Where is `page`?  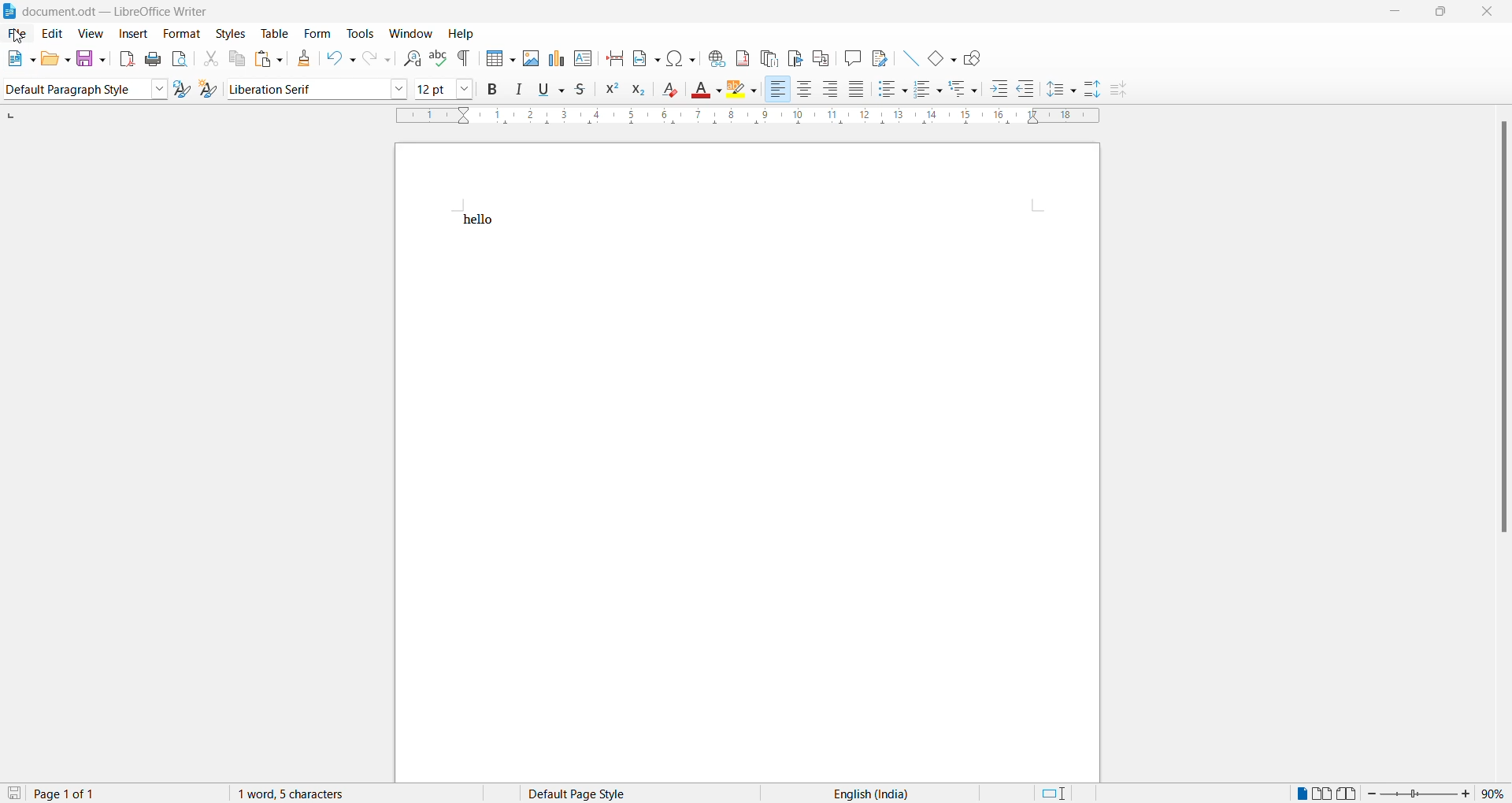
page is located at coordinates (750, 506).